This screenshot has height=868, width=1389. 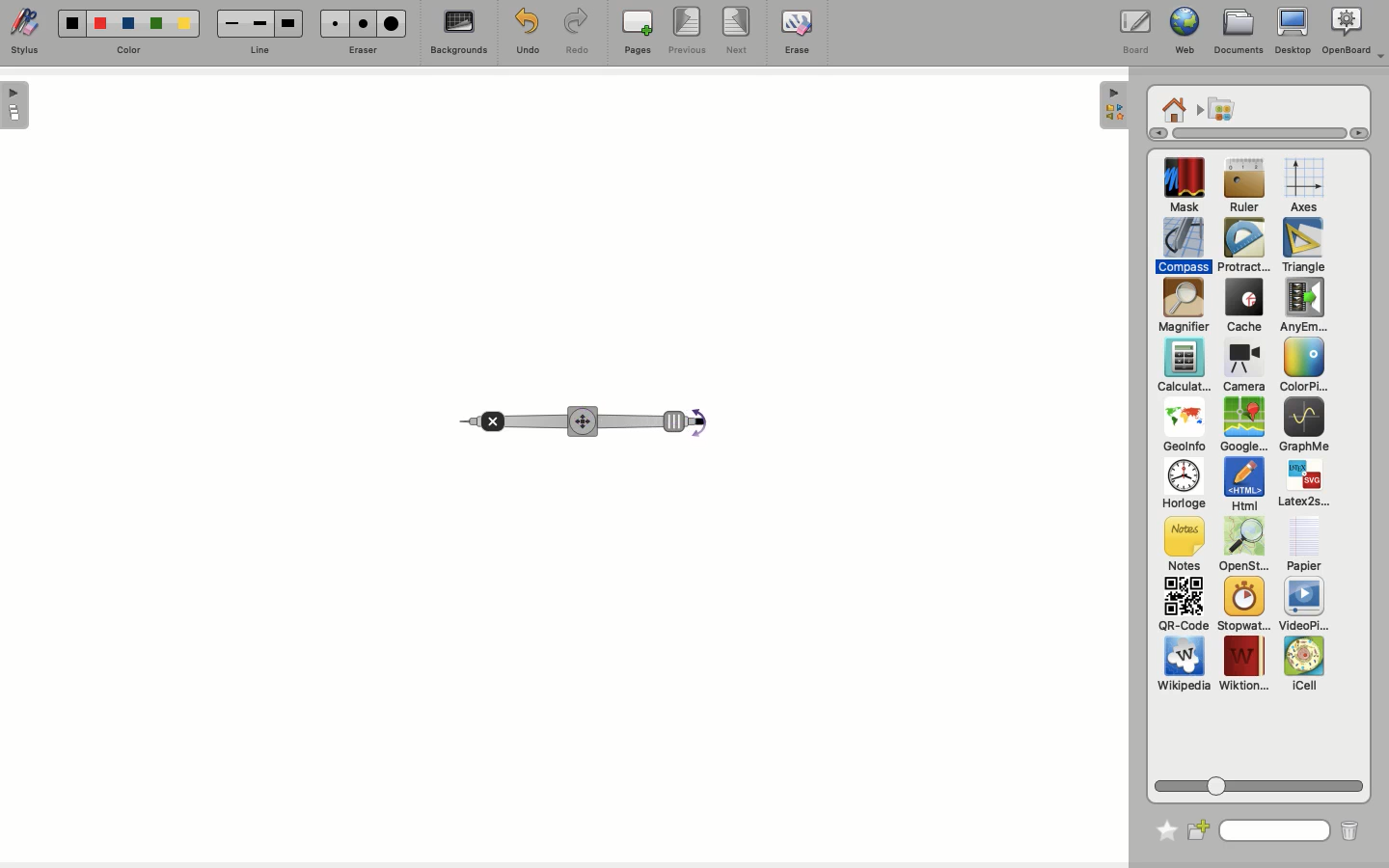 I want to click on color 4, so click(x=155, y=25).